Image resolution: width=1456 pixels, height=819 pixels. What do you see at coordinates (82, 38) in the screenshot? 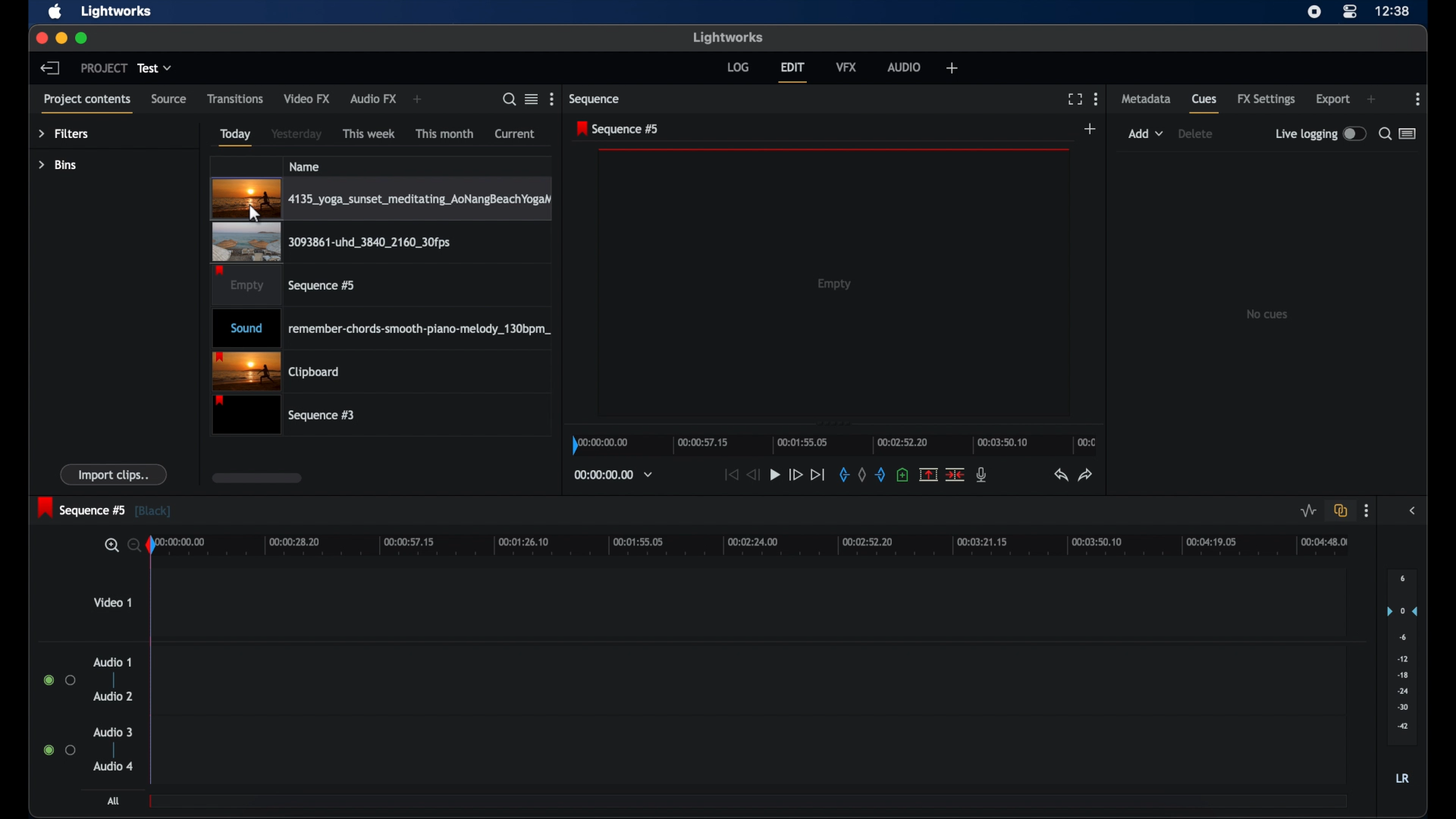
I see `maximize` at bounding box center [82, 38].